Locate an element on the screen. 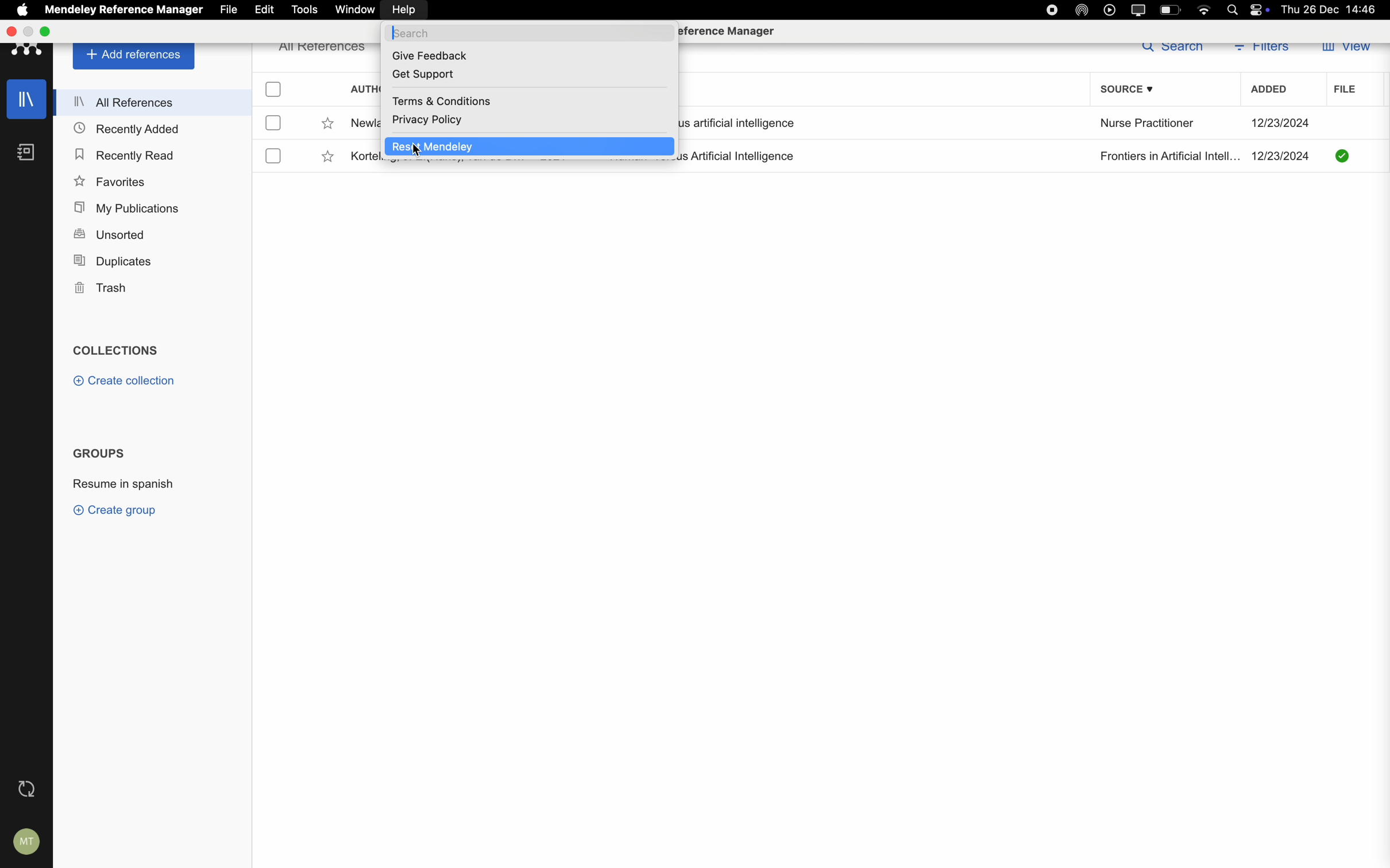 This screenshot has width=1390, height=868. click on reset Mendeley is located at coordinates (529, 146).